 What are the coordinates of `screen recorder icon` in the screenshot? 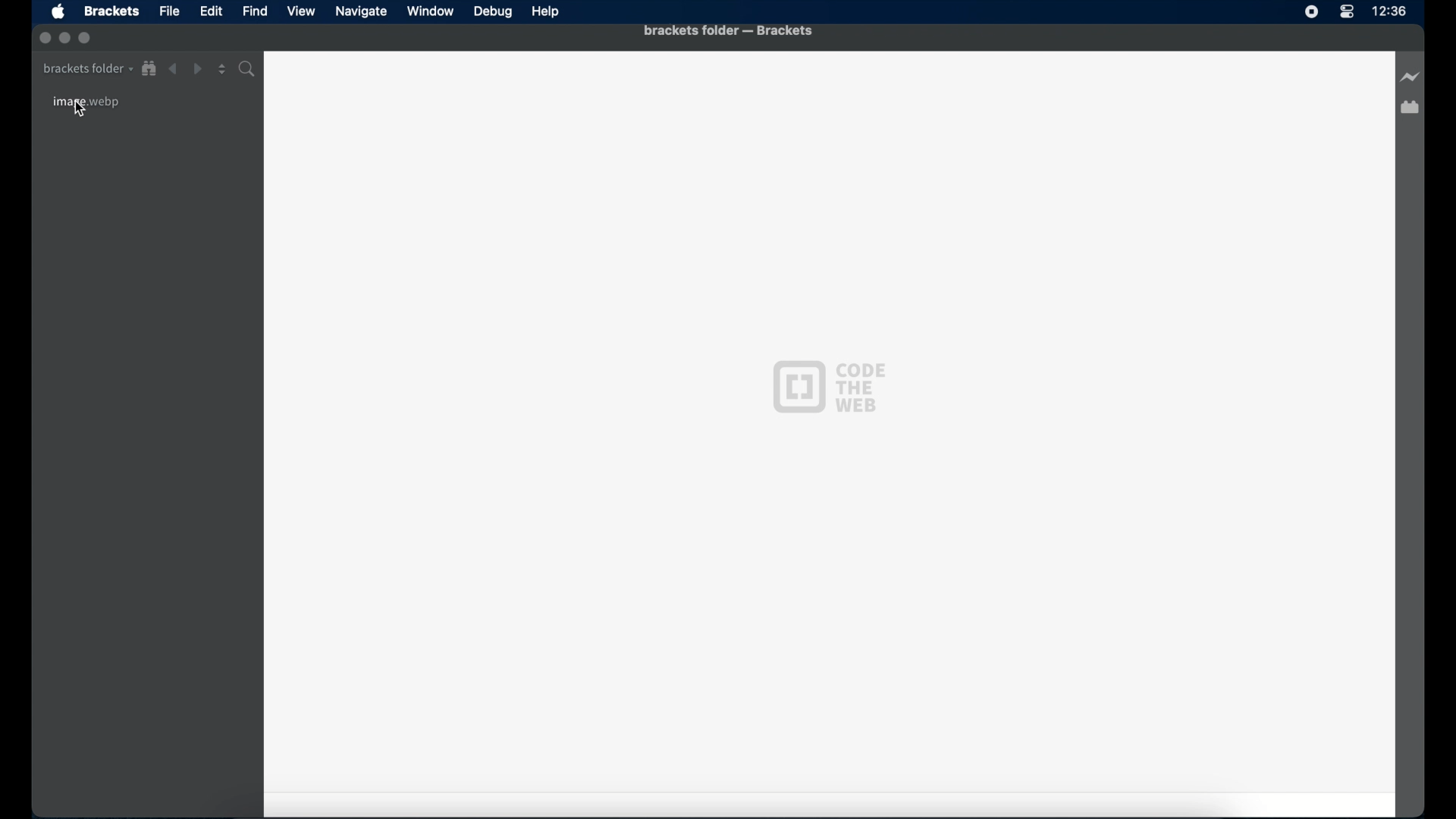 It's located at (1312, 13).